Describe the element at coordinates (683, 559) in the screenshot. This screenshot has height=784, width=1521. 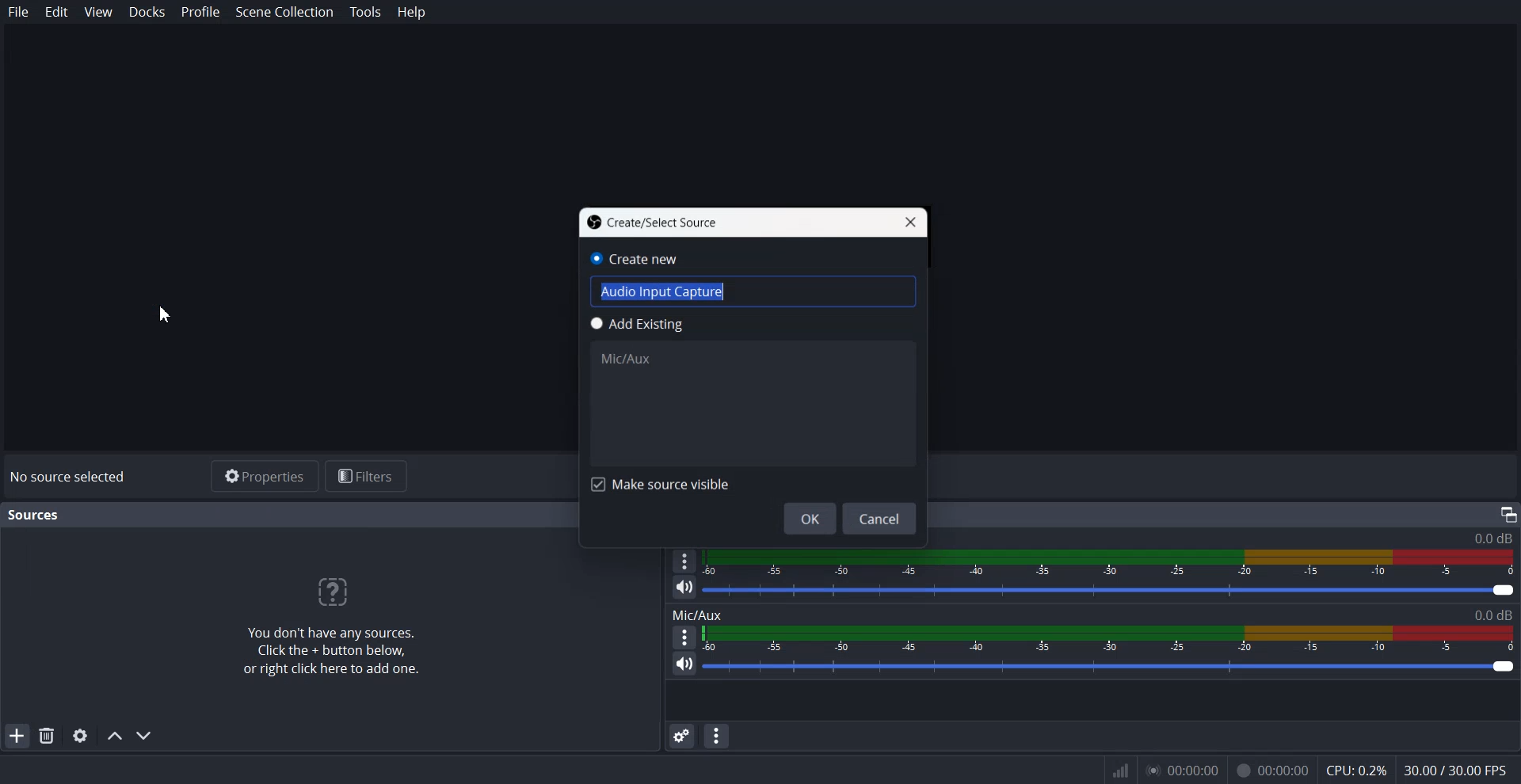
I see `More ` at that location.